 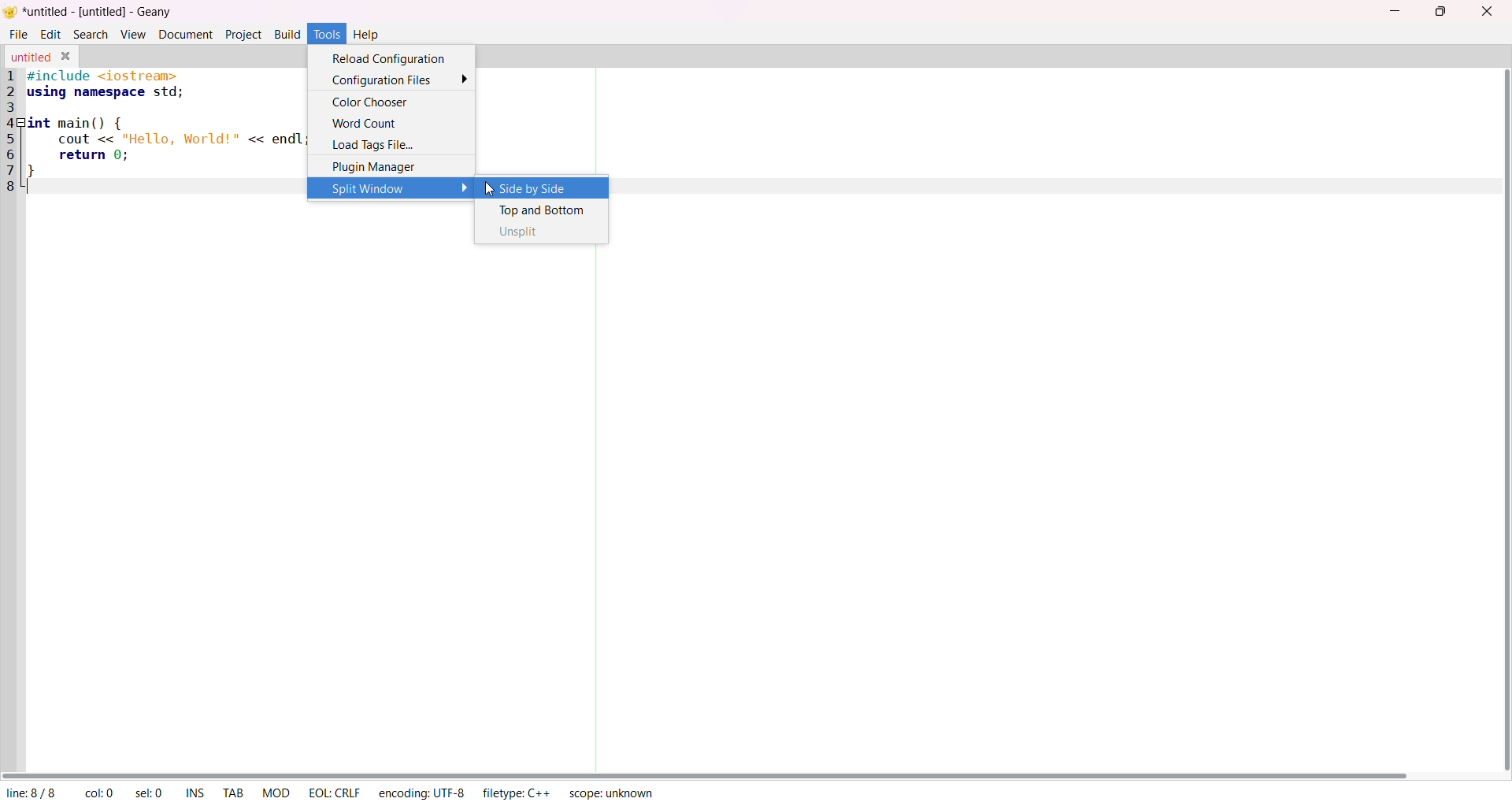 What do you see at coordinates (392, 57) in the screenshot?
I see `Reload Configuration` at bounding box center [392, 57].